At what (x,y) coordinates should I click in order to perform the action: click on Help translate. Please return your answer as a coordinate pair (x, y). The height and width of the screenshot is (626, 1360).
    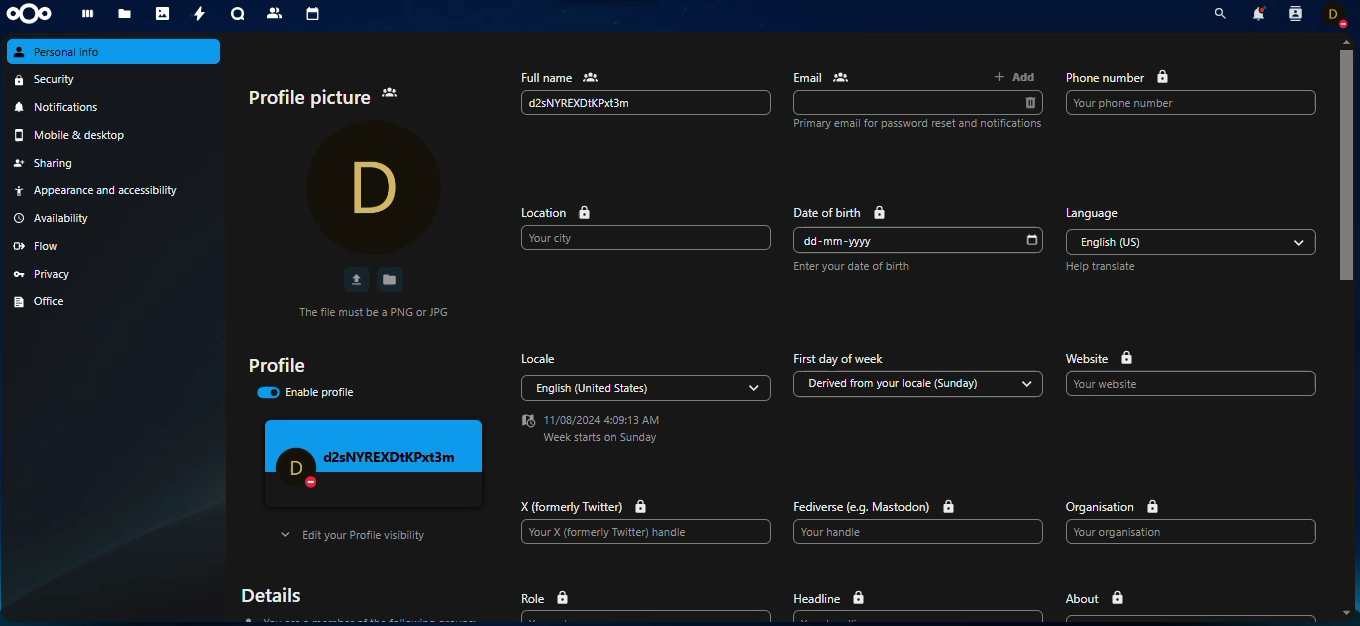
    Looking at the image, I should click on (1100, 266).